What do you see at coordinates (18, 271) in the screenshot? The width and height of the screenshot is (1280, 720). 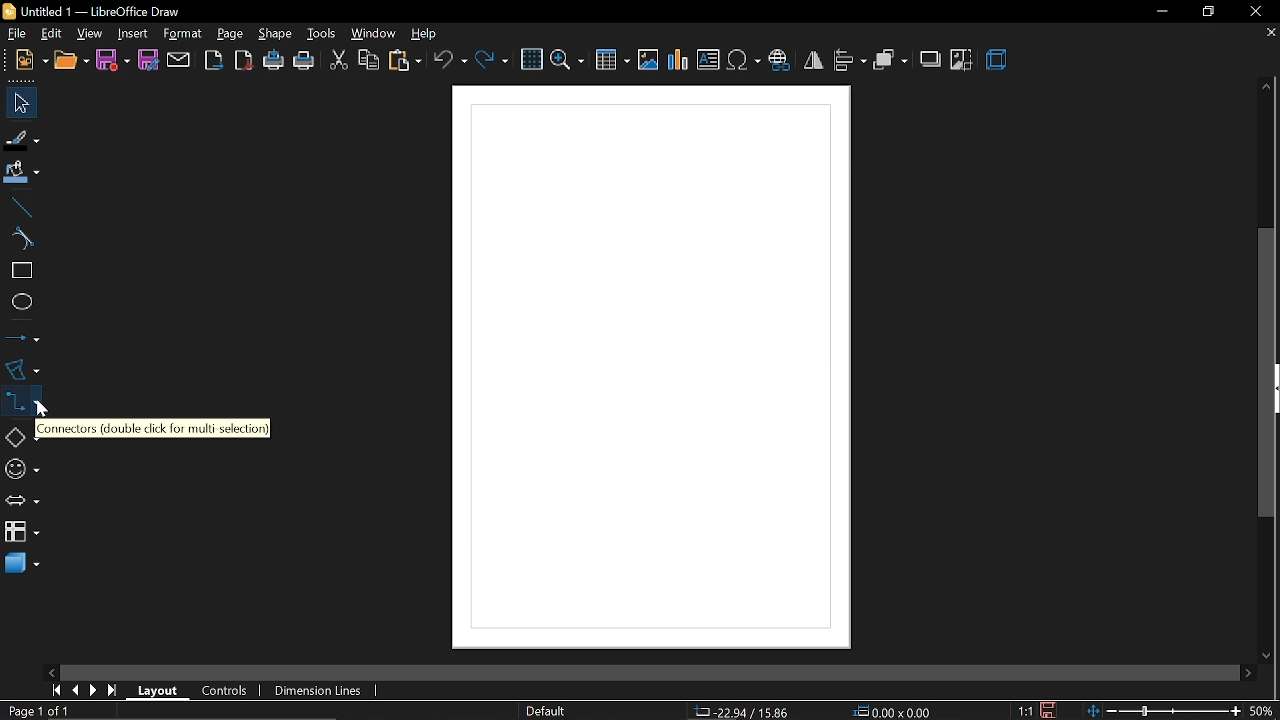 I see `rectangle` at bounding box center [18, 271].